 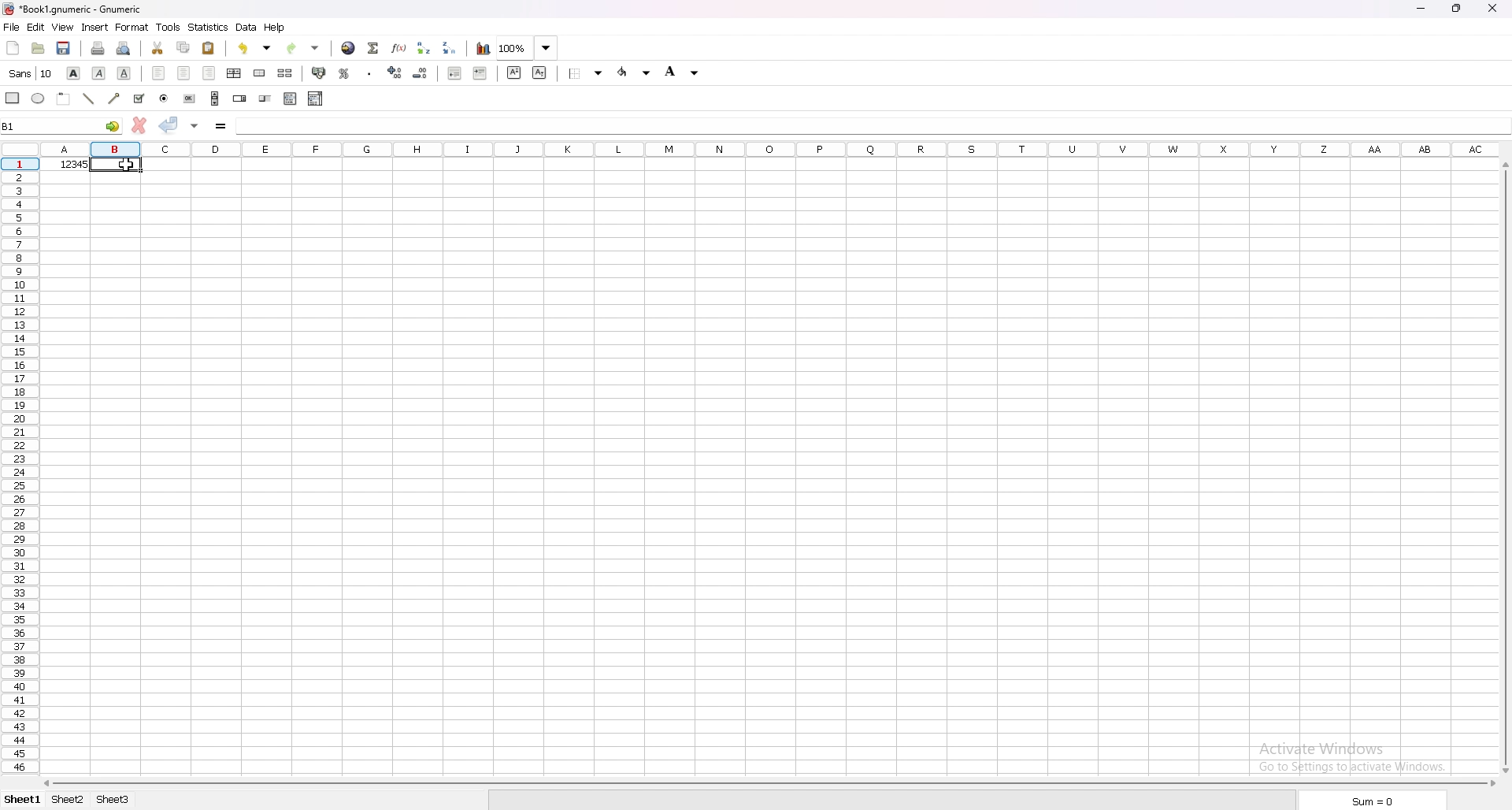 I want to click on decrease decimals, so click(x=421, y=73).